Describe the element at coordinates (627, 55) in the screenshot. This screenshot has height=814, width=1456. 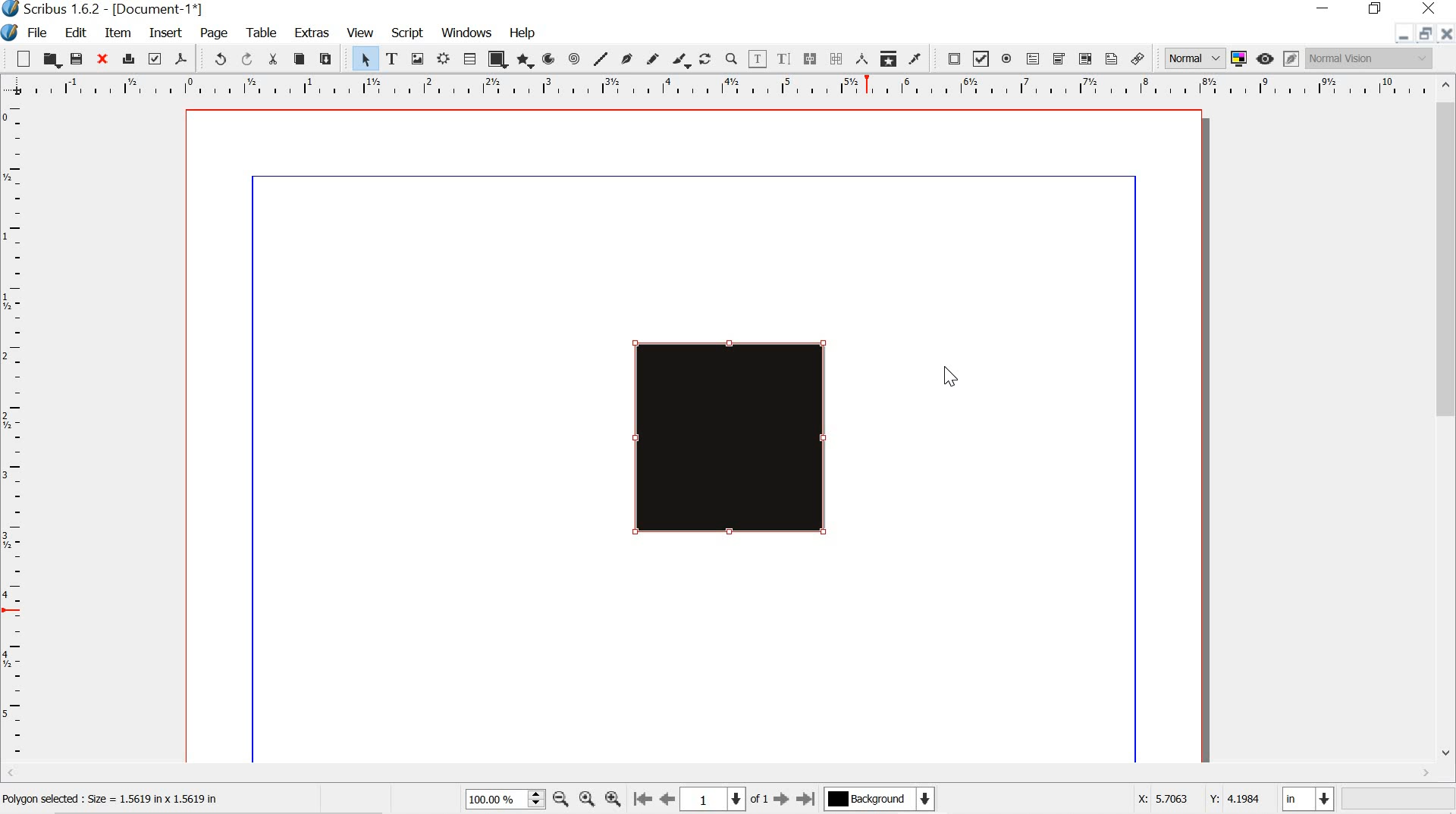
I see `bezier curve` at that location.